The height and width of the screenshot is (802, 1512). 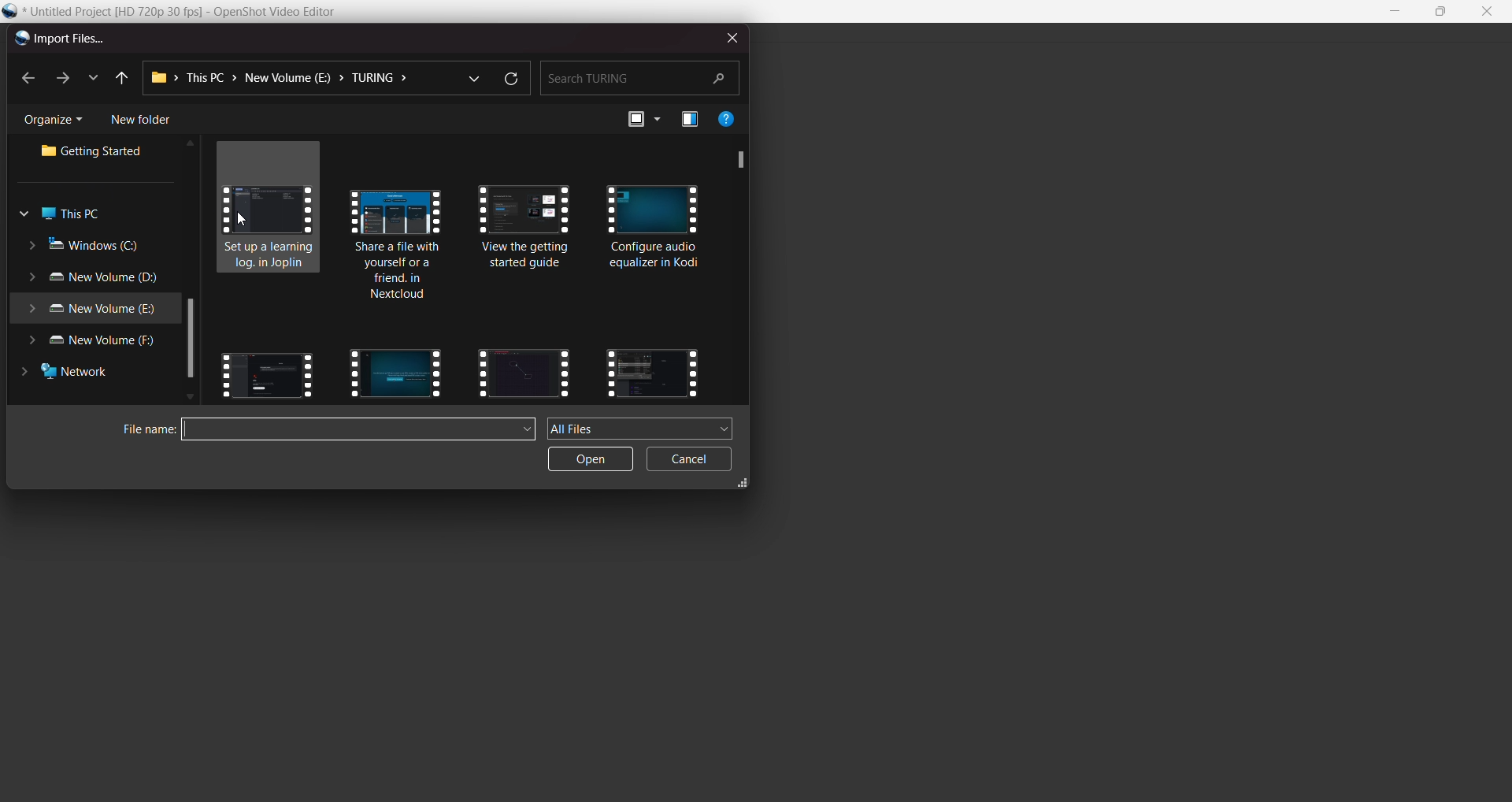 What do you see at coordinates (61, 78) in the screenshot?
I see `next` at bounding box center [61, 78].